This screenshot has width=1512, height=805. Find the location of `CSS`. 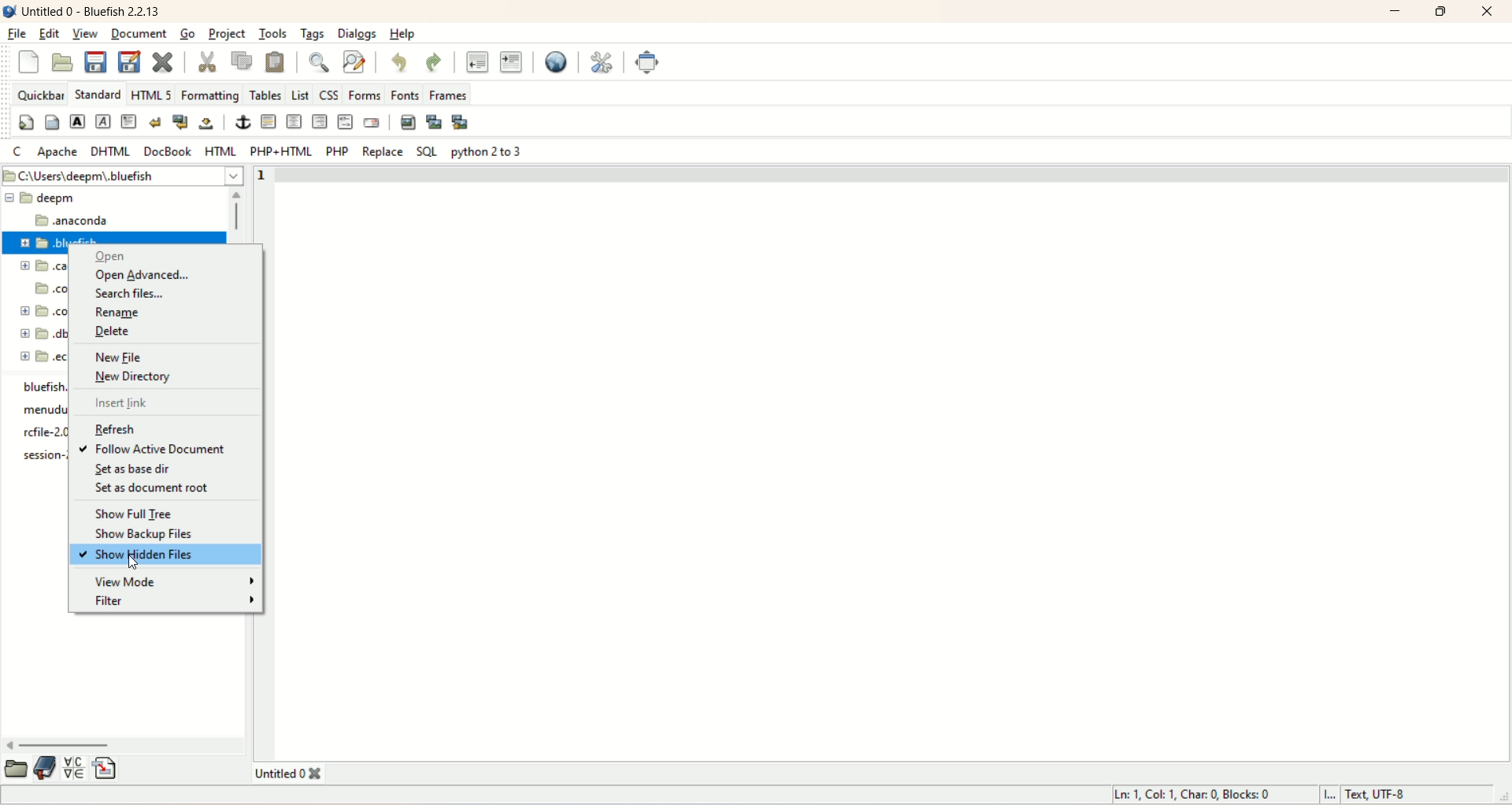

CSS is located at coordinates (330, 95).